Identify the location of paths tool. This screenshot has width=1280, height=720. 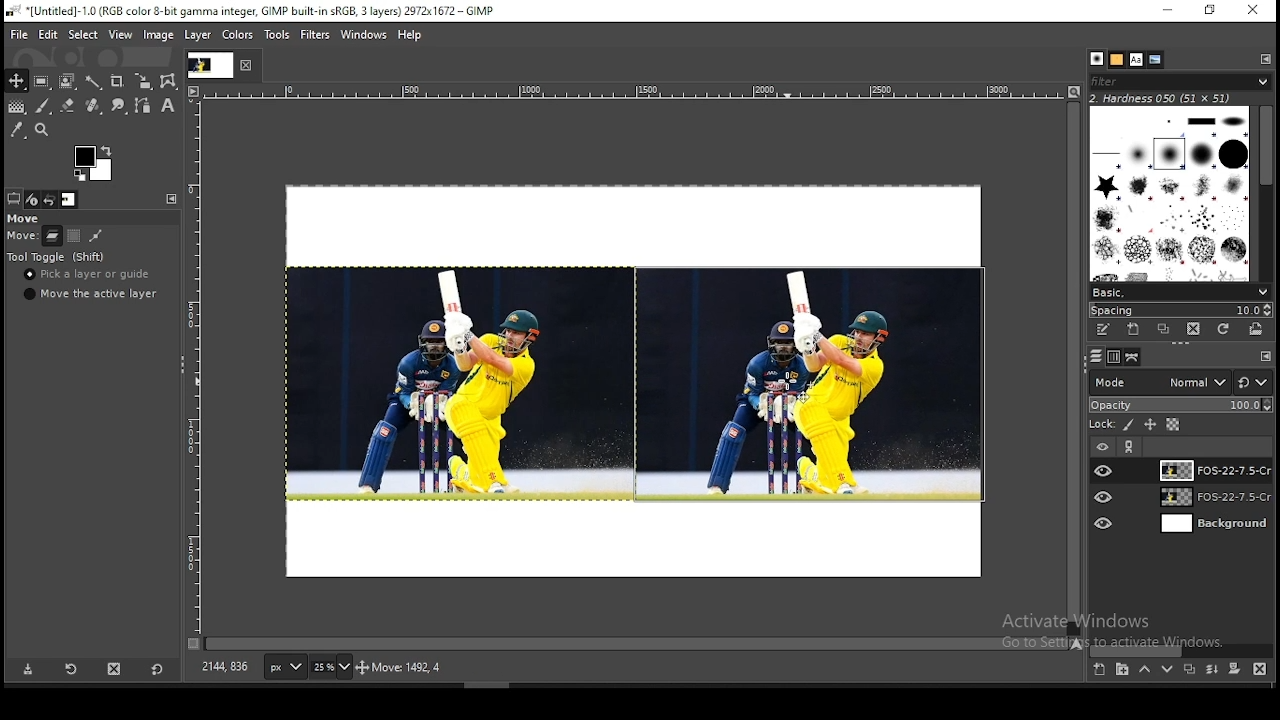
(140, 107).